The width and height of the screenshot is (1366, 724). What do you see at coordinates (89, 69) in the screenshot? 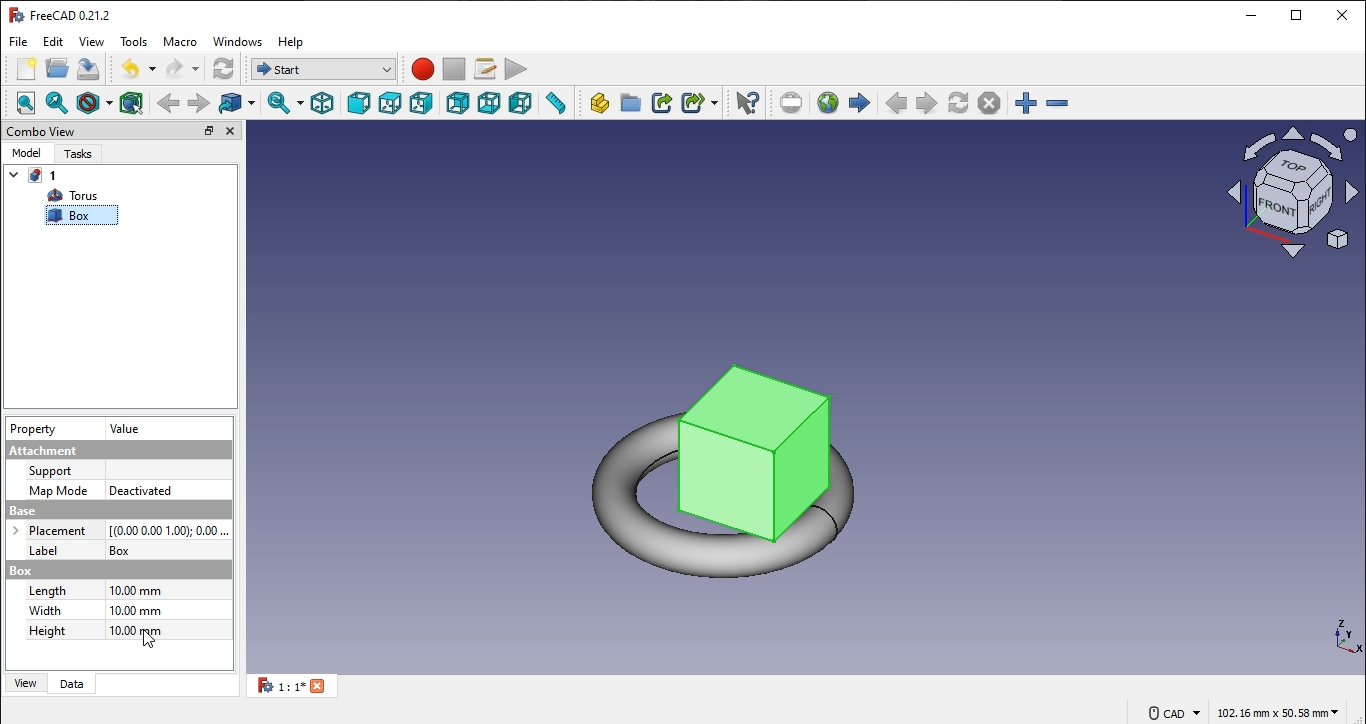
I see `save file` at bounding box center [89, 69].